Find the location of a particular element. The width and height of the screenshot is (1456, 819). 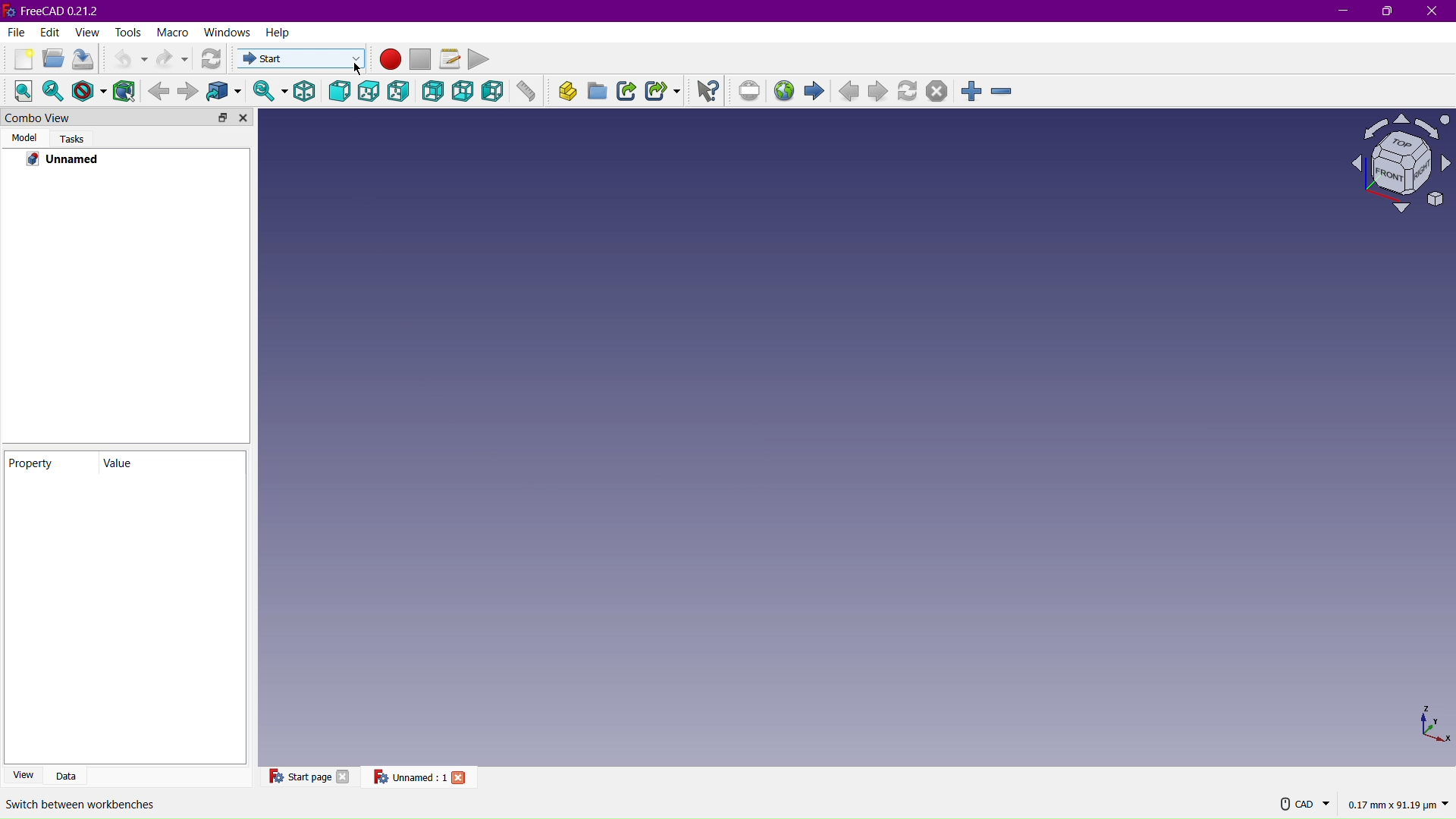

File is located at coordinates (14, 33).